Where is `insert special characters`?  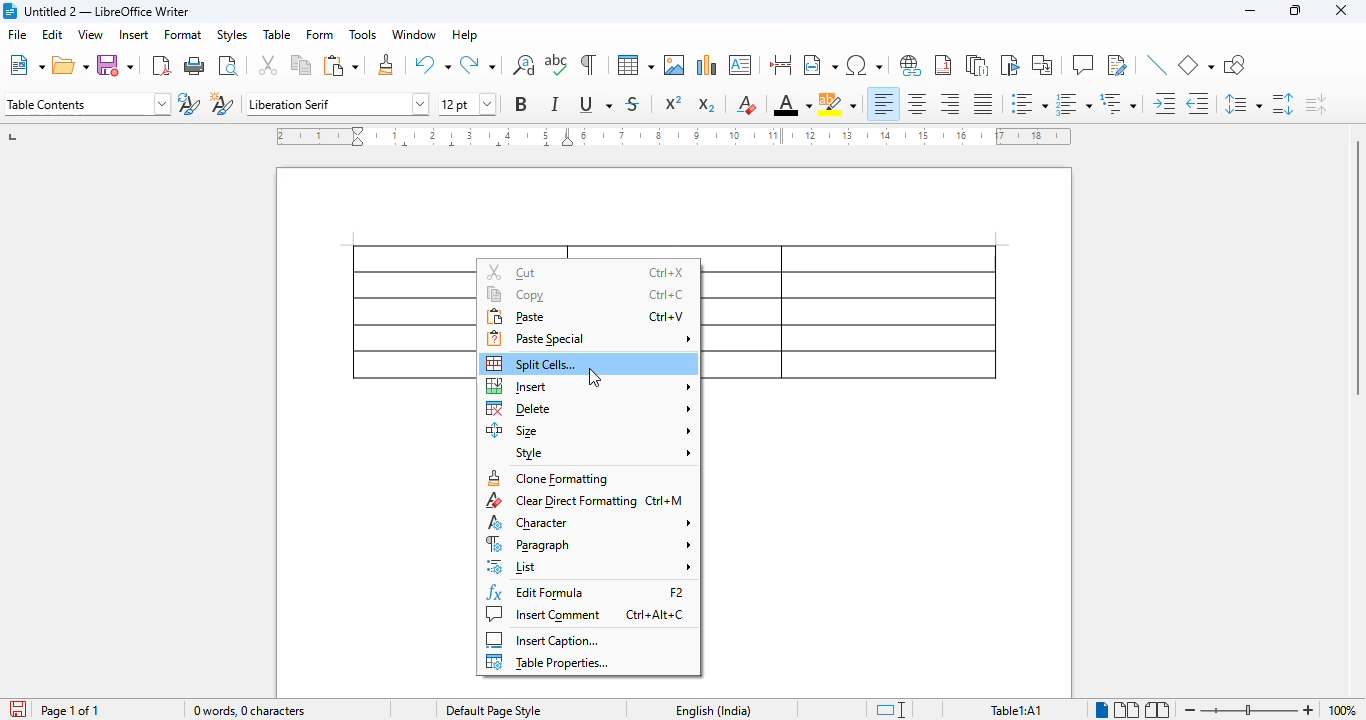
insert special characters is located at coordinates (865, 65).